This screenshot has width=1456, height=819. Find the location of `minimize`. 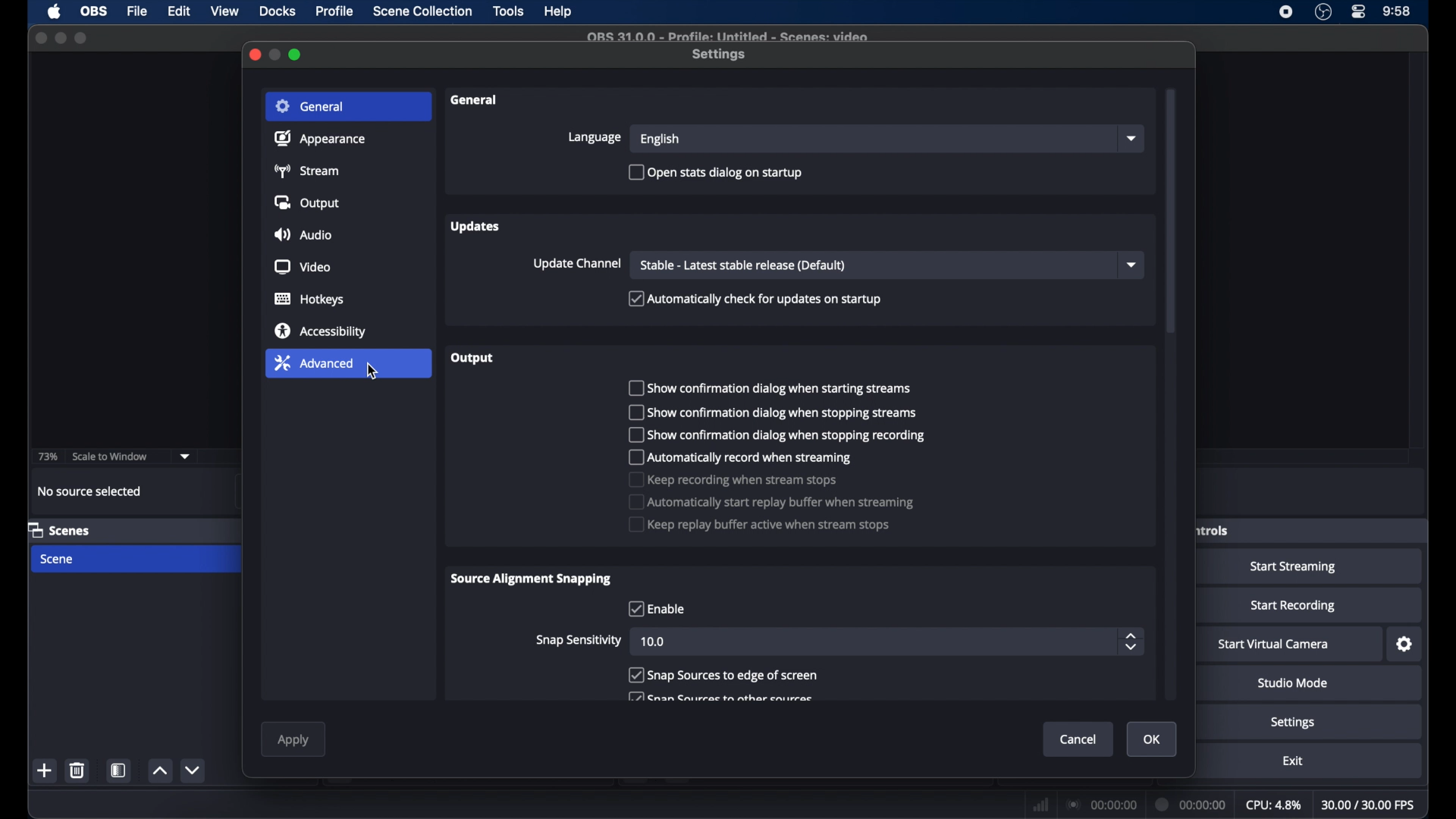

minimize is located at coordinates (61, 38).